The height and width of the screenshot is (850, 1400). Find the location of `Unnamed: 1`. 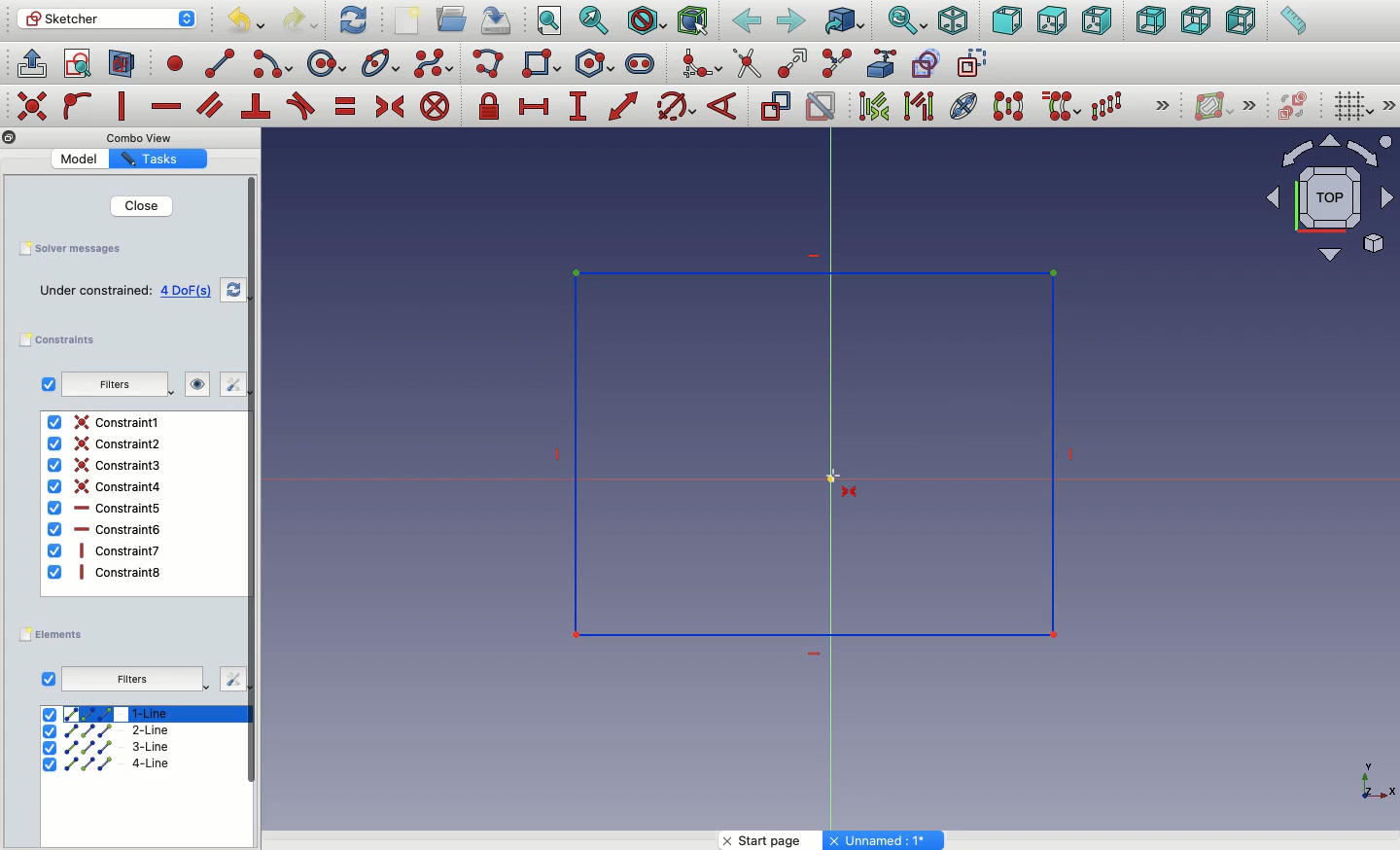

Unnamed: 1 is located at coordinates (885, 840).